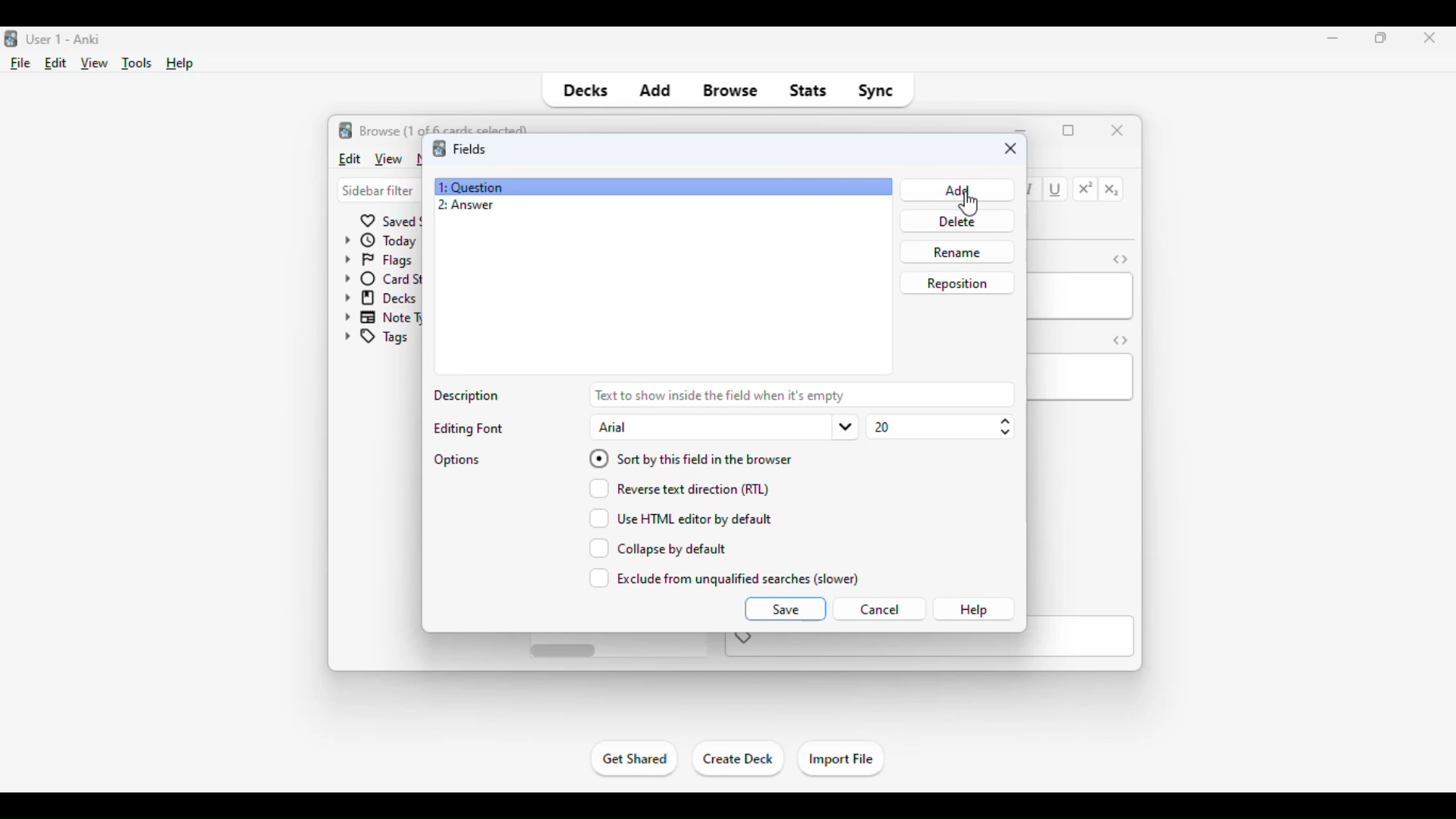  Describe the element at coordinates (138, 64) in the screenshot. I see `tools` at that location.